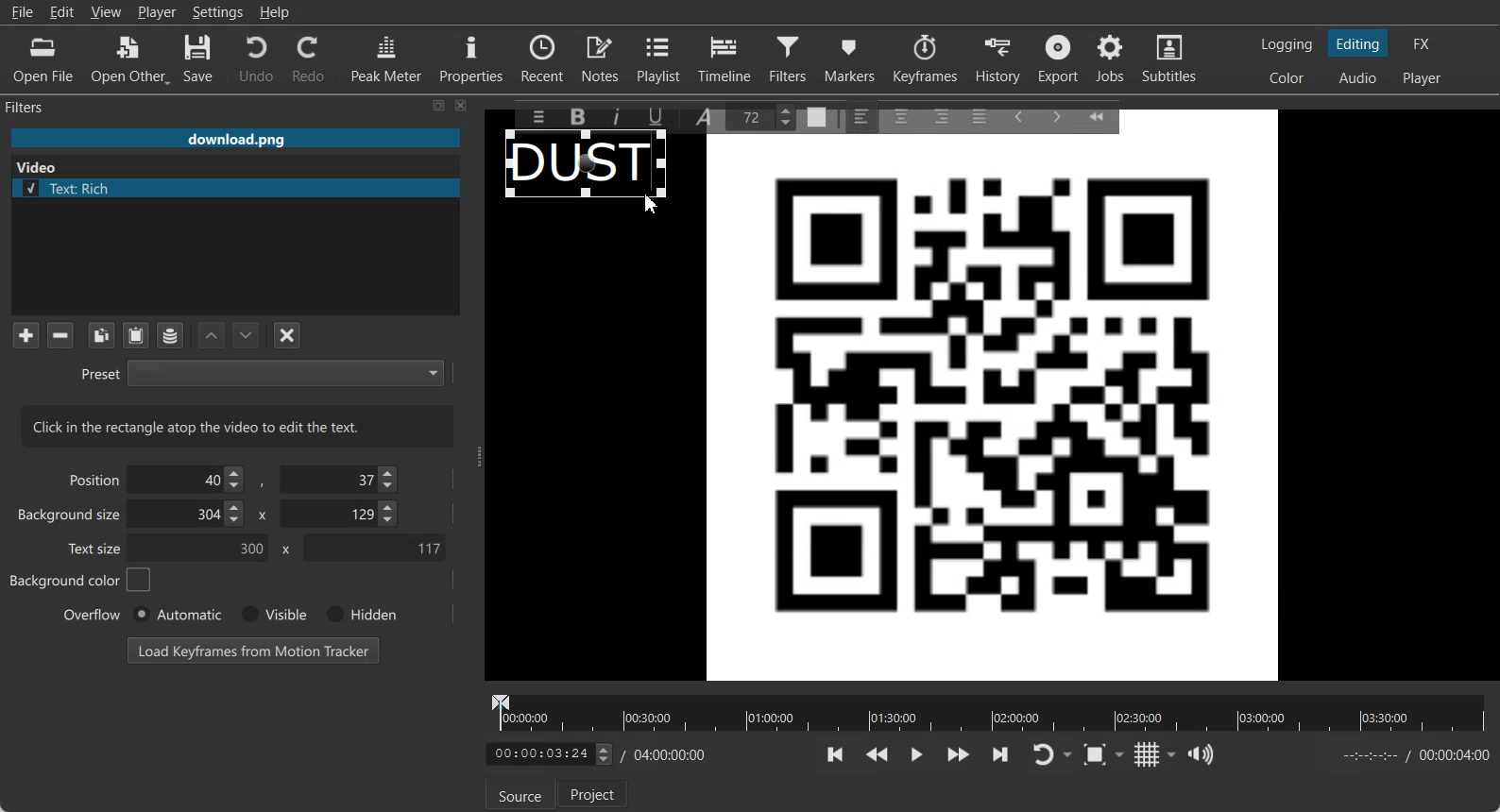  Describe the element at coordinates (62, 11) in the screenshot. I see `Edit` at that location.